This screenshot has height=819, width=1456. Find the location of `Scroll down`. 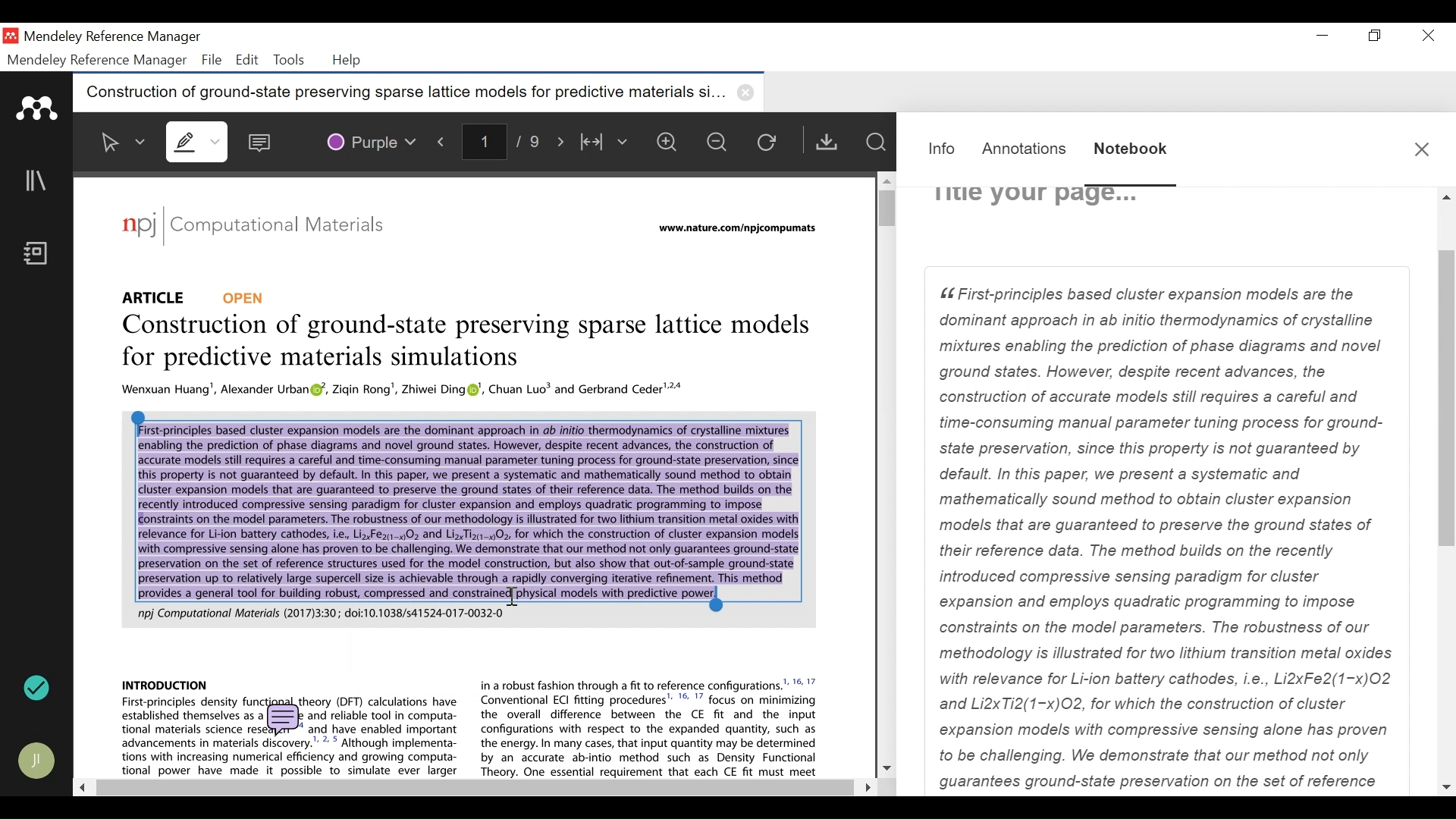

Scroll down is located at coordinates (886, 766).